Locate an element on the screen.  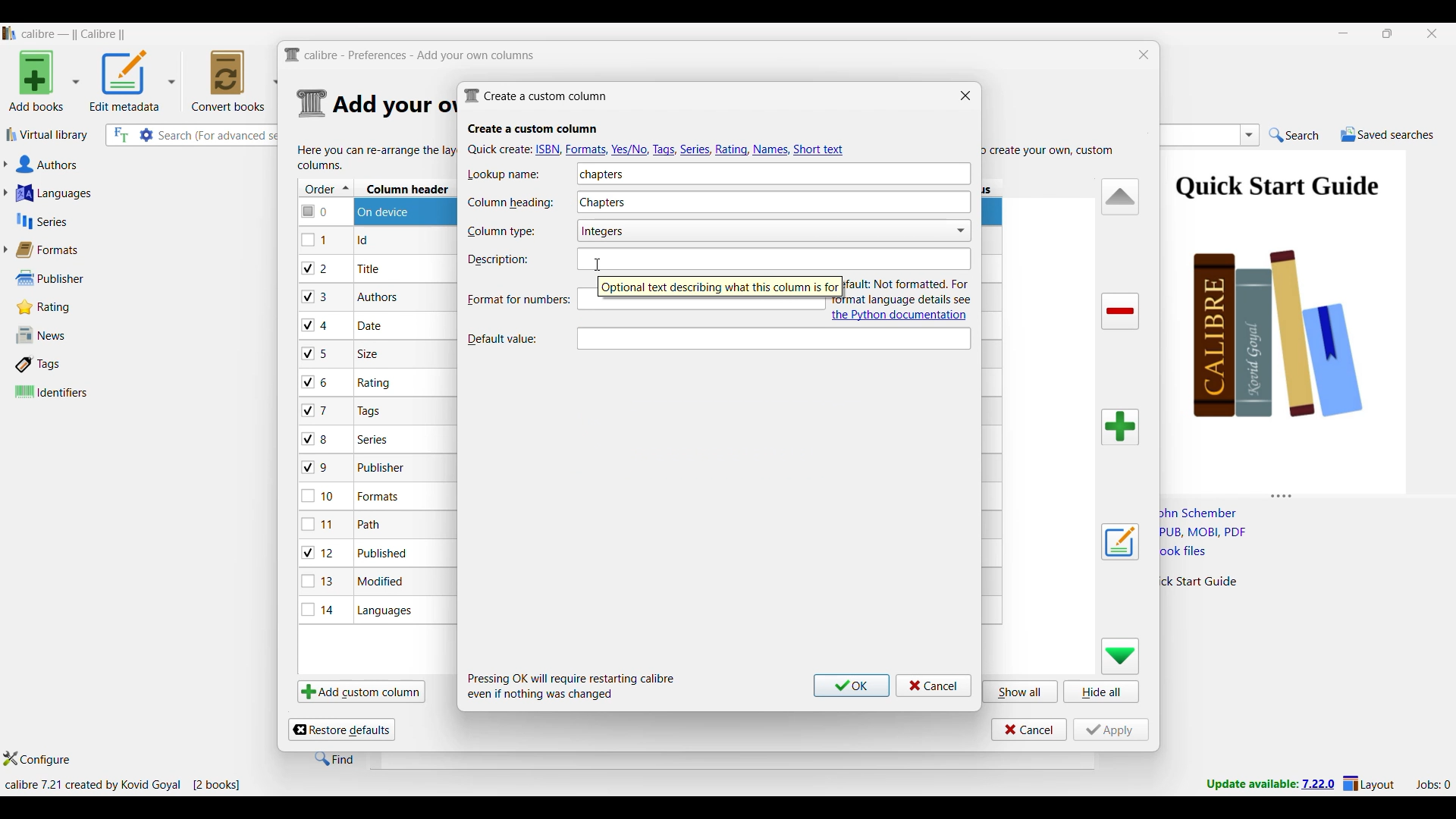
Convert books options is located at coordinates (235, 80).